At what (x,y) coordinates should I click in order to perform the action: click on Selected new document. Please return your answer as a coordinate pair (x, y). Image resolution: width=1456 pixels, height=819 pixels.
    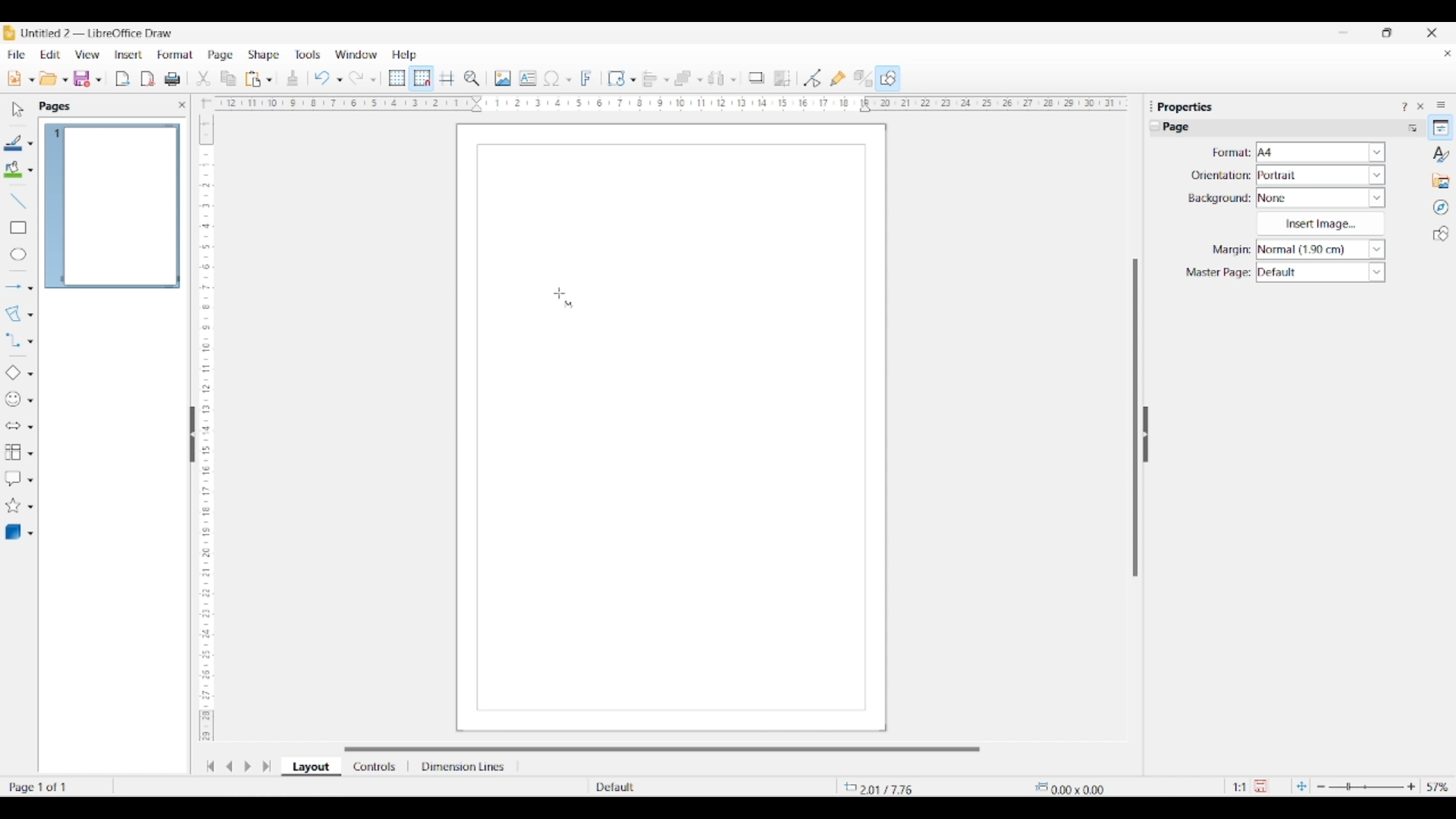
    Looking at the image, I should click on (14, 78).